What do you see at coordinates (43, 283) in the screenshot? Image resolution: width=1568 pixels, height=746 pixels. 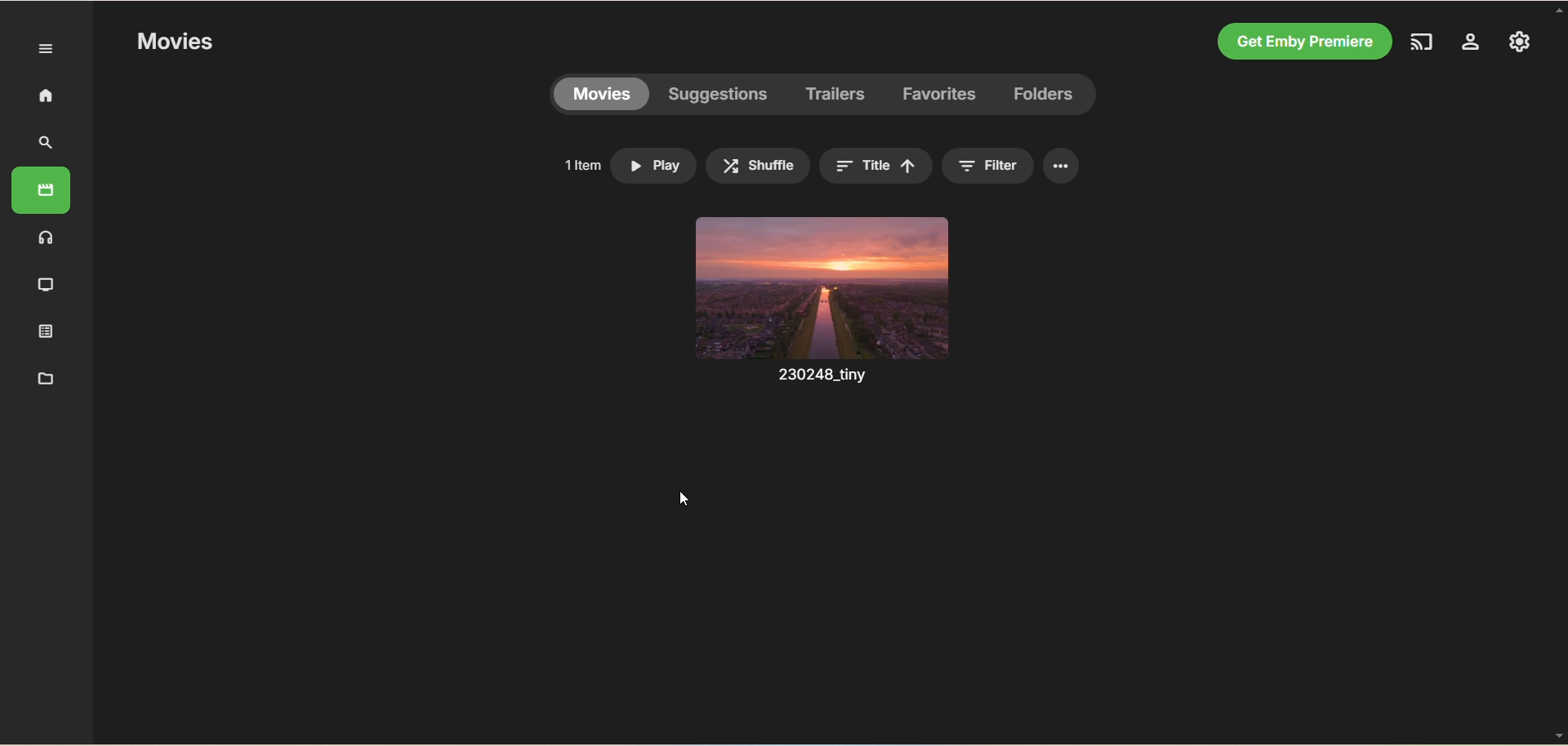 I see `TV shows` at bounding box center [43, 283].